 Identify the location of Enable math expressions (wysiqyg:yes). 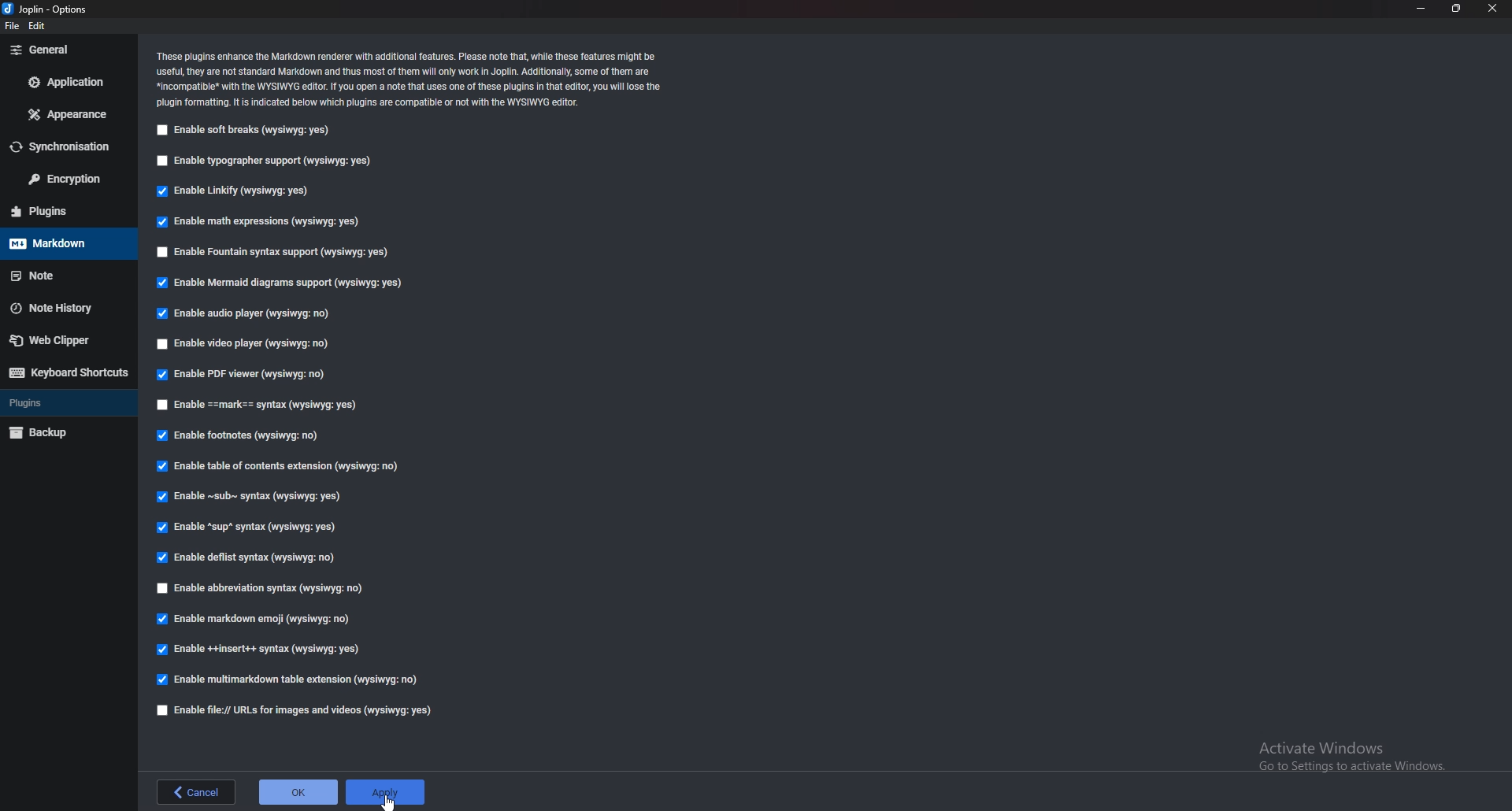
(269, 223).